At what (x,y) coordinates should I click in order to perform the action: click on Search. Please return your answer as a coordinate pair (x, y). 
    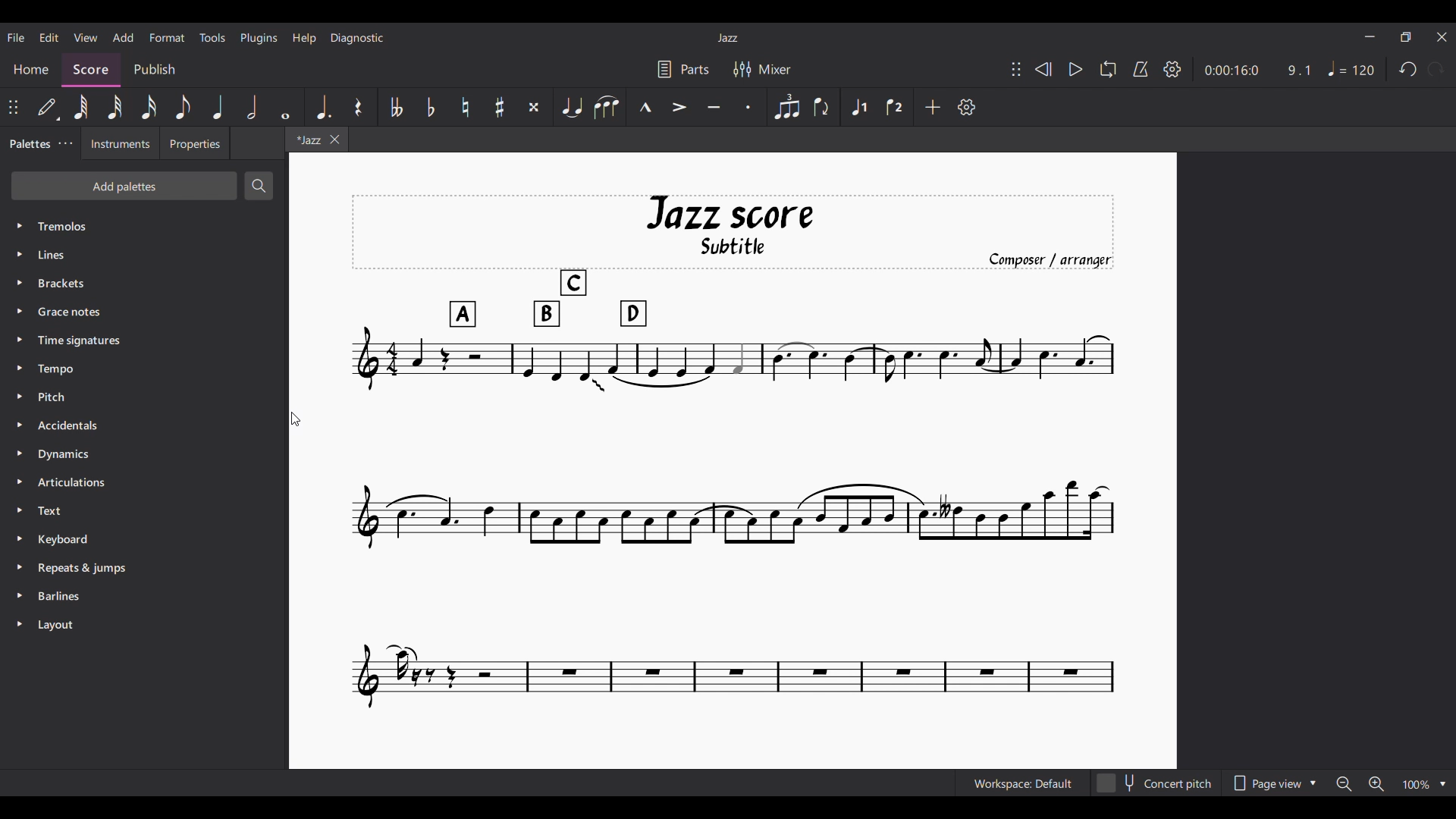
    Looking at the image, I should click on (259, 187).